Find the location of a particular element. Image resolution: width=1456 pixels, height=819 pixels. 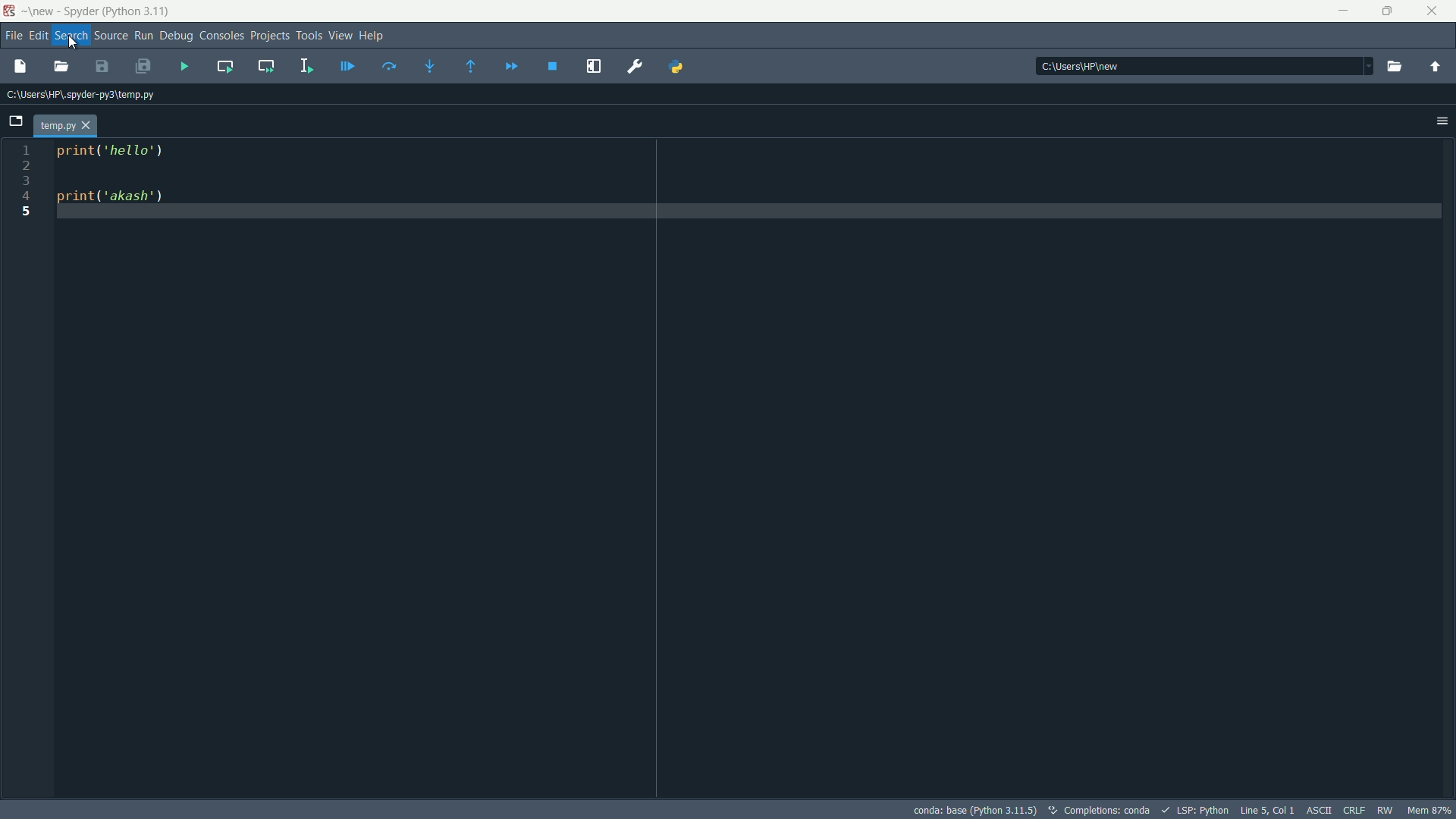

step into function is located at coordinates (433, 66).